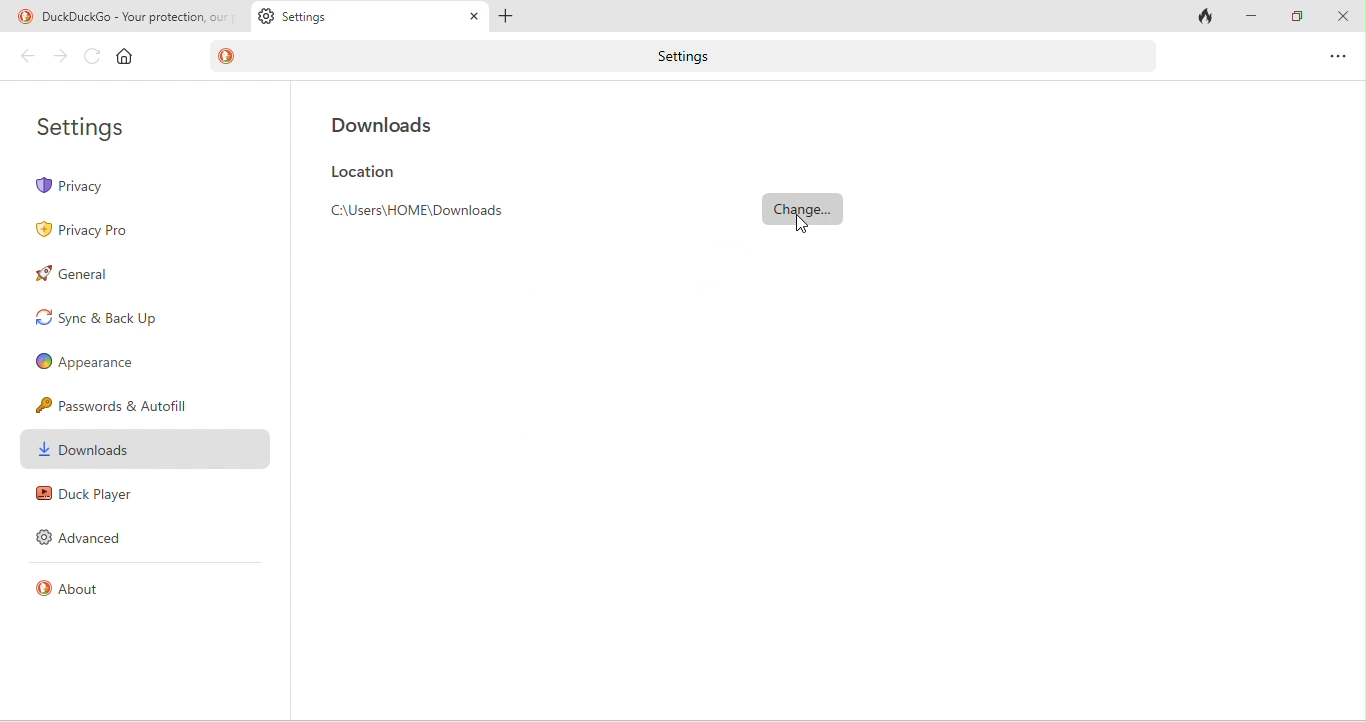 The image size is (1366, 722). What do you see at coordinates (806, 223) in the screenshot?
I see `cursor` at bounding box center [806, 223].